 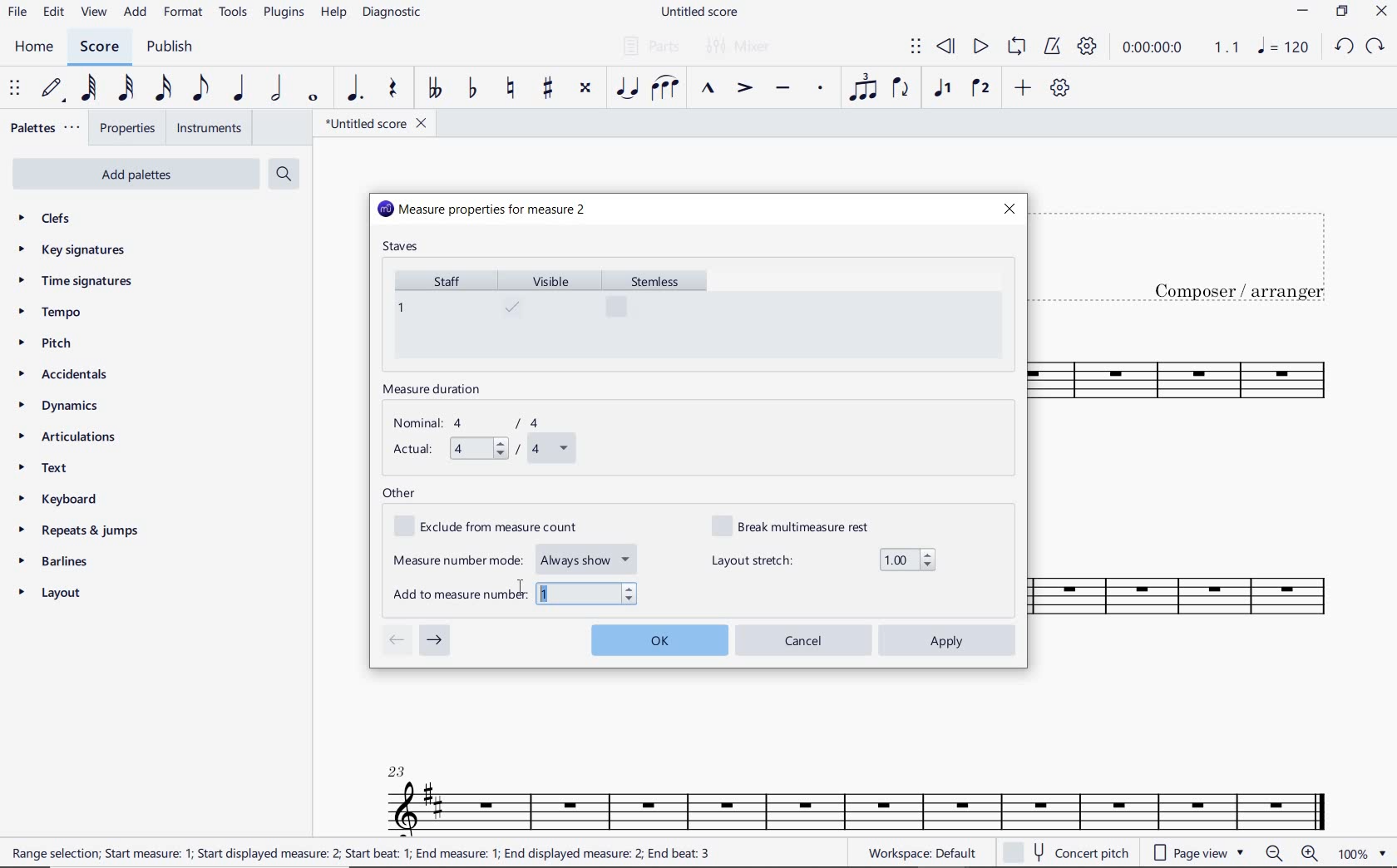 What do you see at coordinates (79, 533) in the screenshot?
I see `REPEATS & JUMPS` at bounding box center [79, 533].